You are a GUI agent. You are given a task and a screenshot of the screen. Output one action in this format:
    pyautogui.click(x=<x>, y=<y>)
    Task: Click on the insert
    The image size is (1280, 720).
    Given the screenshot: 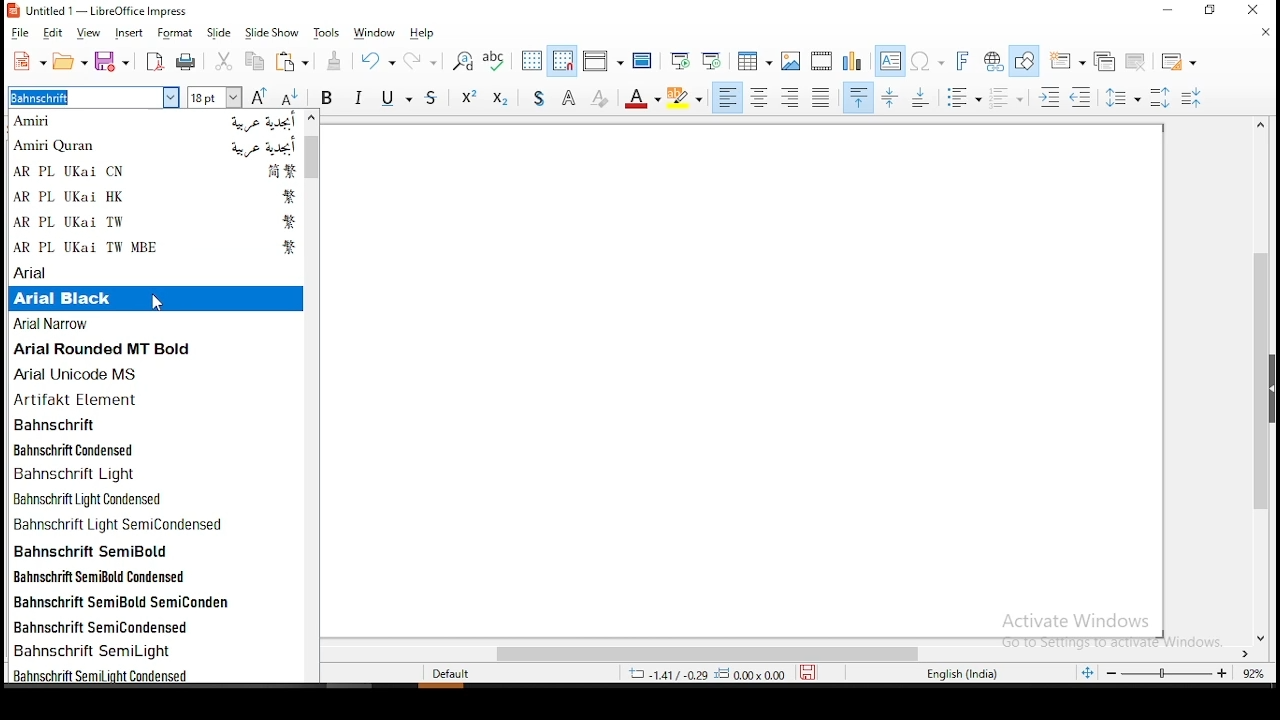 What is the action you would take?
    pyautogui.click(x=131, y=31)
    